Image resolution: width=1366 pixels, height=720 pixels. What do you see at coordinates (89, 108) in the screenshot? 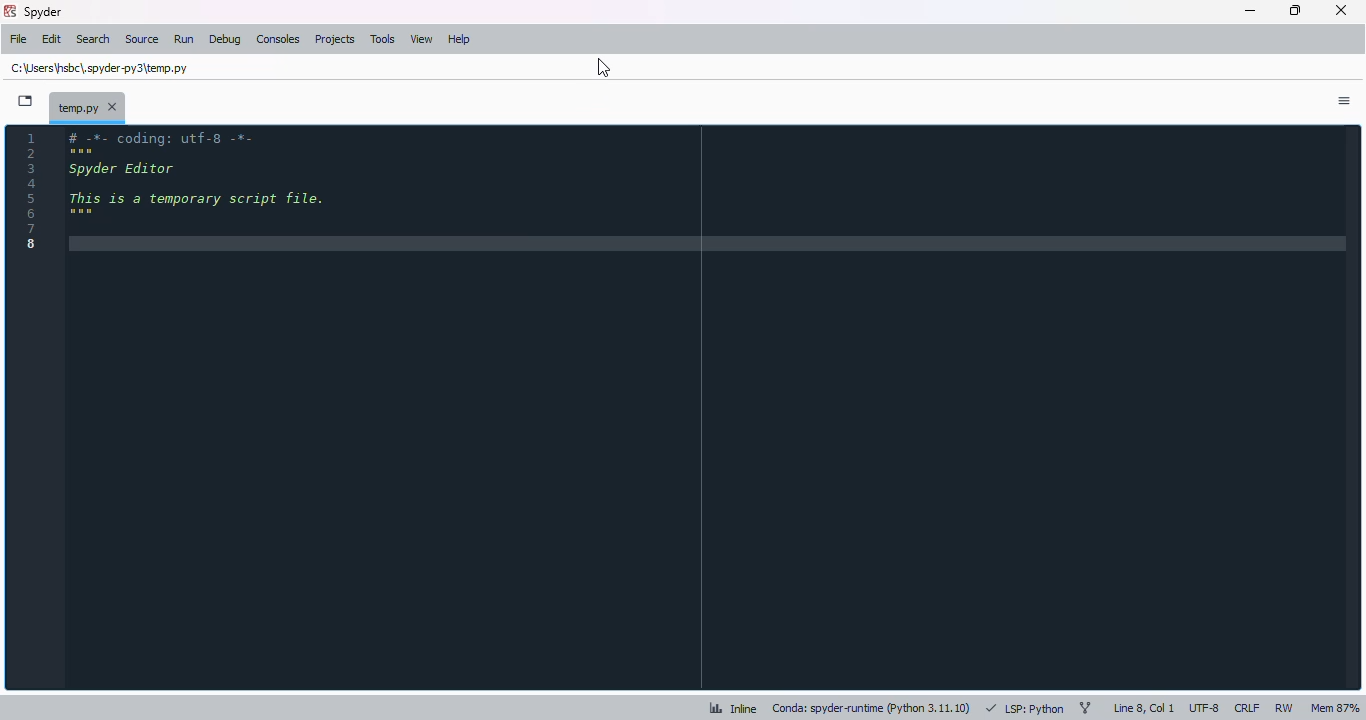
I see `temporary file` at bounding box center [89, 108].